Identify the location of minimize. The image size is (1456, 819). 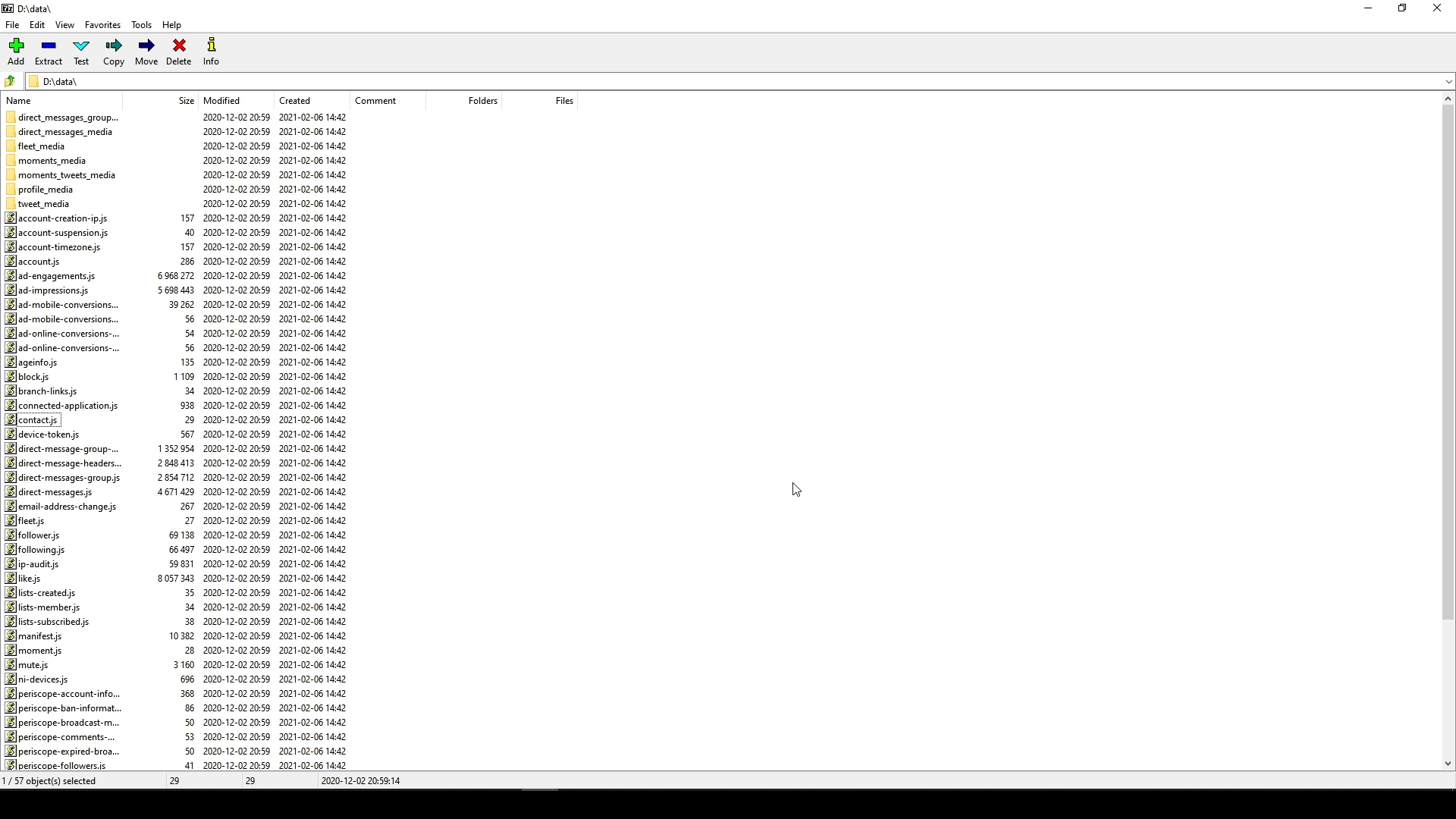
(1368, 13).